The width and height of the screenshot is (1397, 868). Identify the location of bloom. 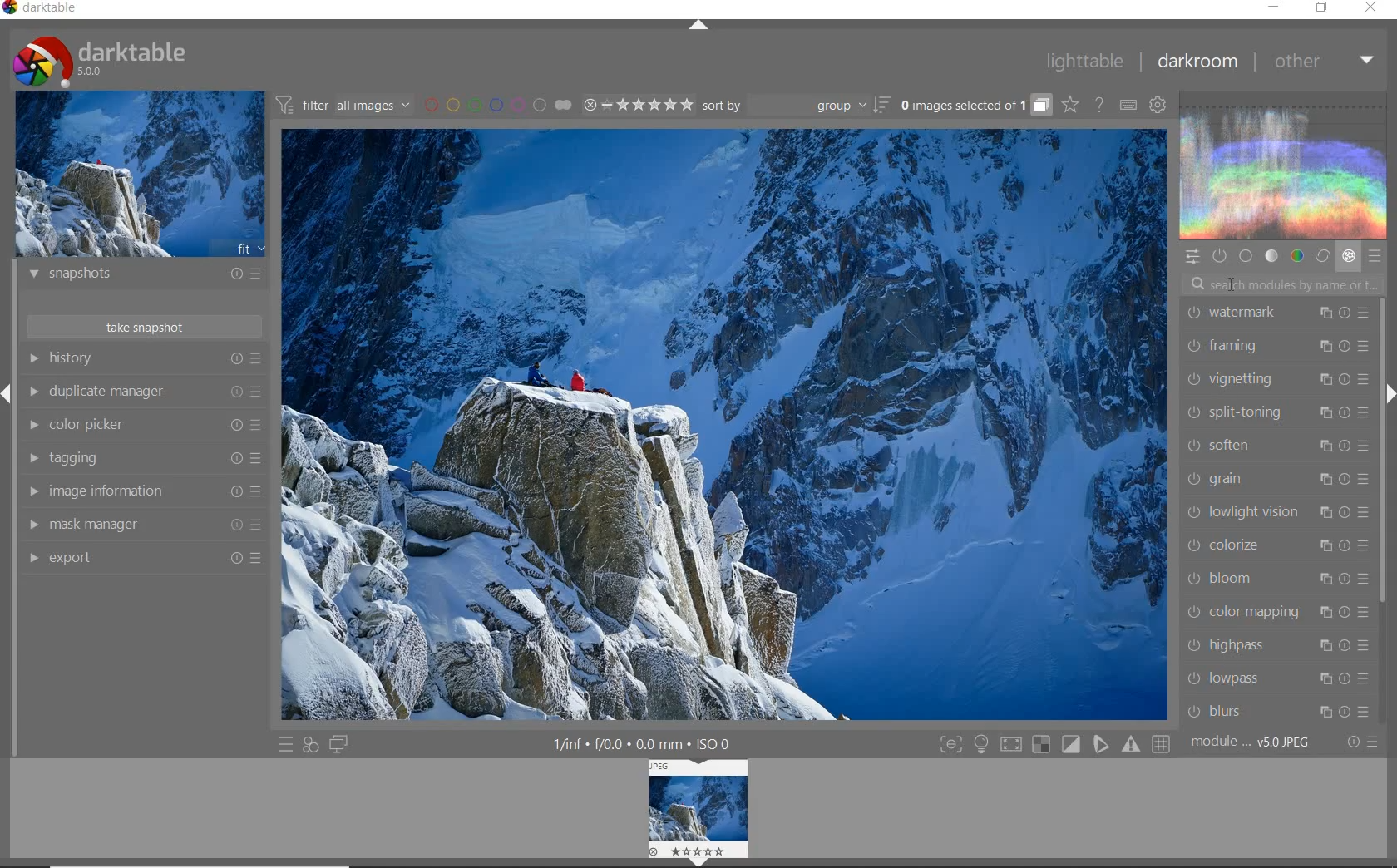
(1275, 577).